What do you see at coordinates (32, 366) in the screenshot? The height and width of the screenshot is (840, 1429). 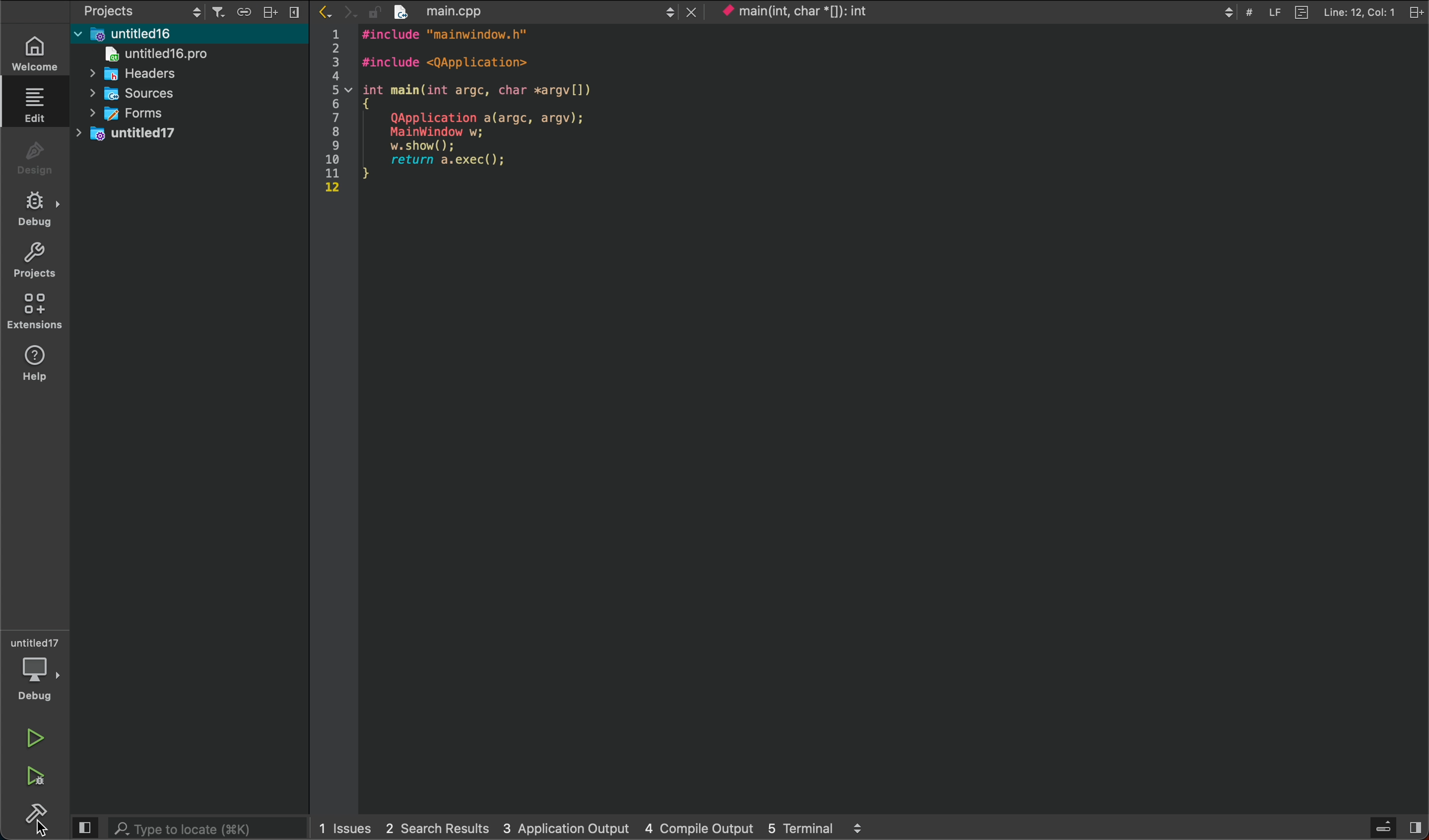 I see `help` at bounding box center [32, 366].